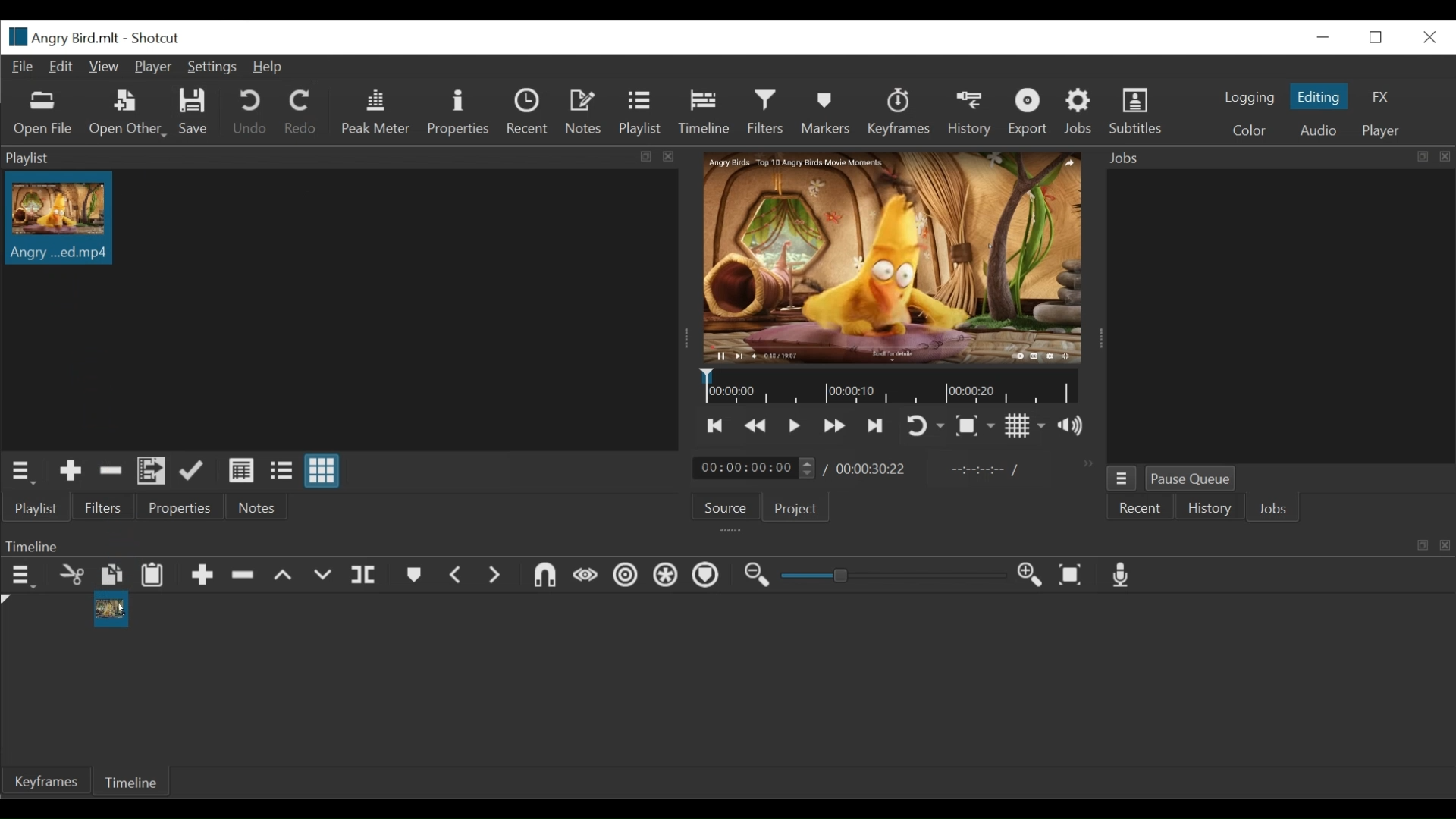 The image size is (1456, 819). What do you see at coordinates (1078, 111) in the screenshot?
I see `Jobs` at bounding box center [1078, 111].